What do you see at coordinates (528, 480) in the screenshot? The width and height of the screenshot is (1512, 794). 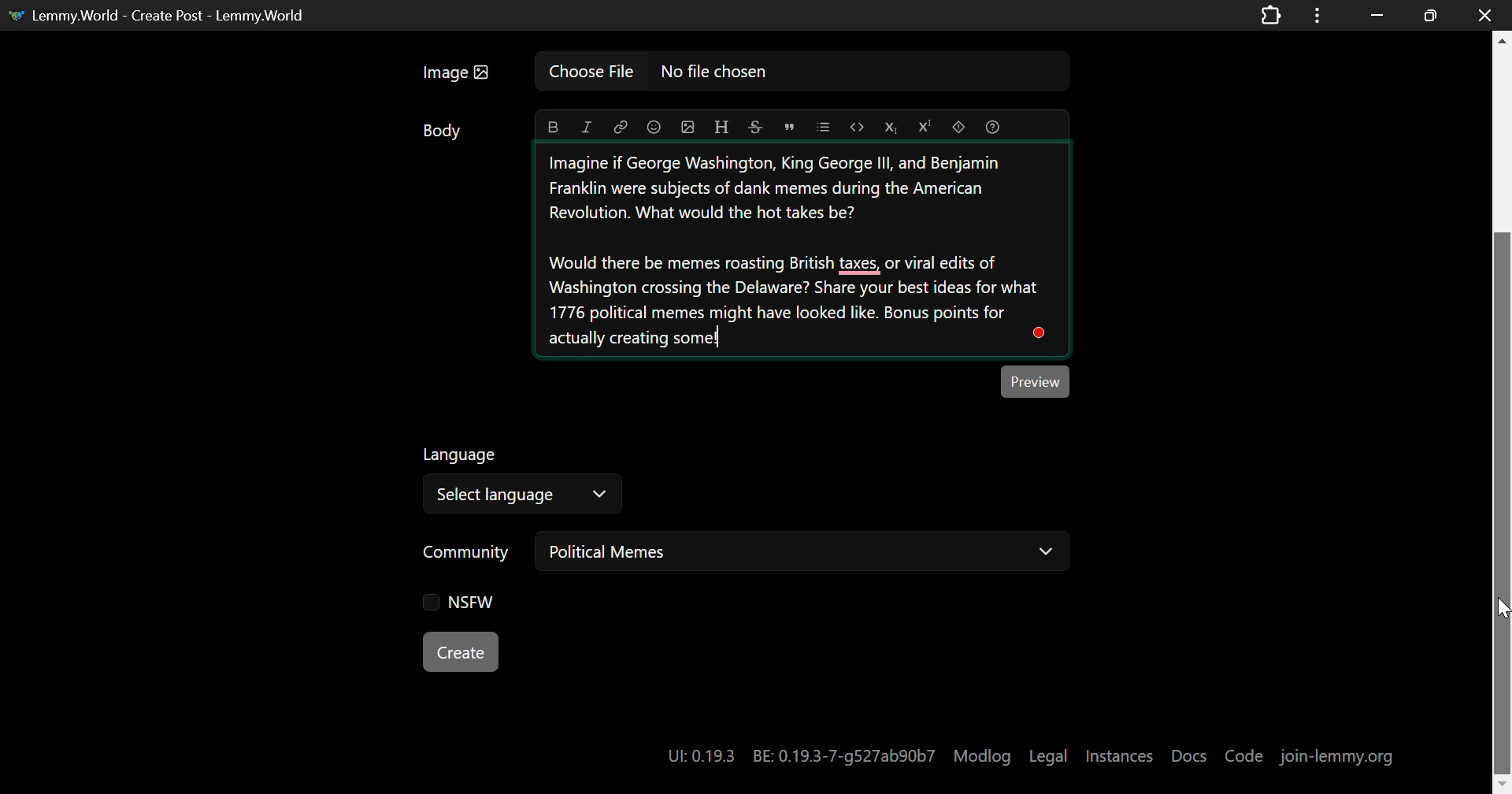 I see `Select Post Language` at bounding box center [528, 480].